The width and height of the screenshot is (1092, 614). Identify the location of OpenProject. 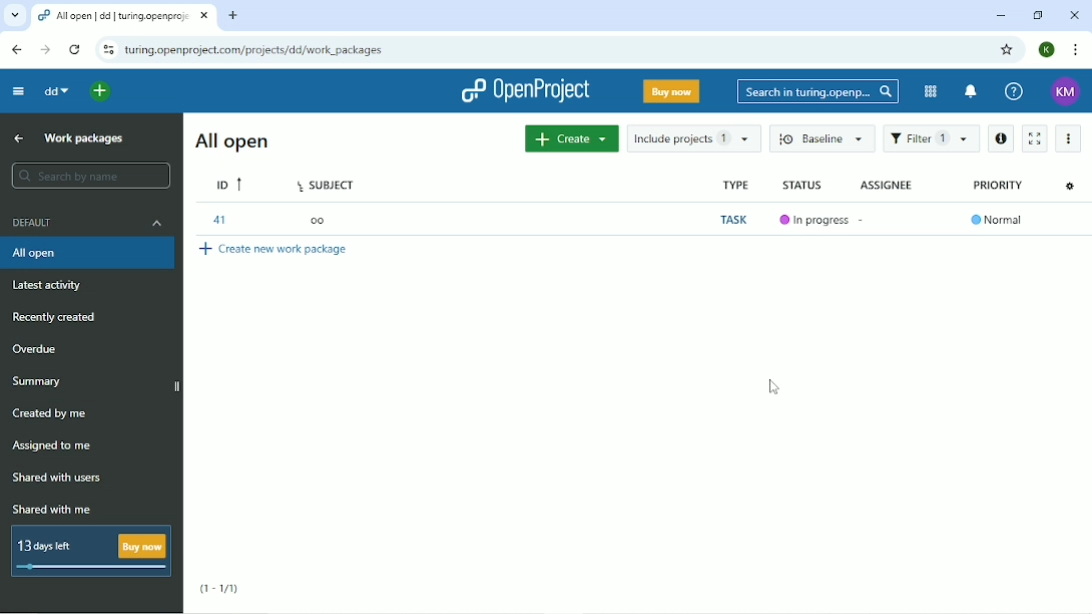
(524, 91).